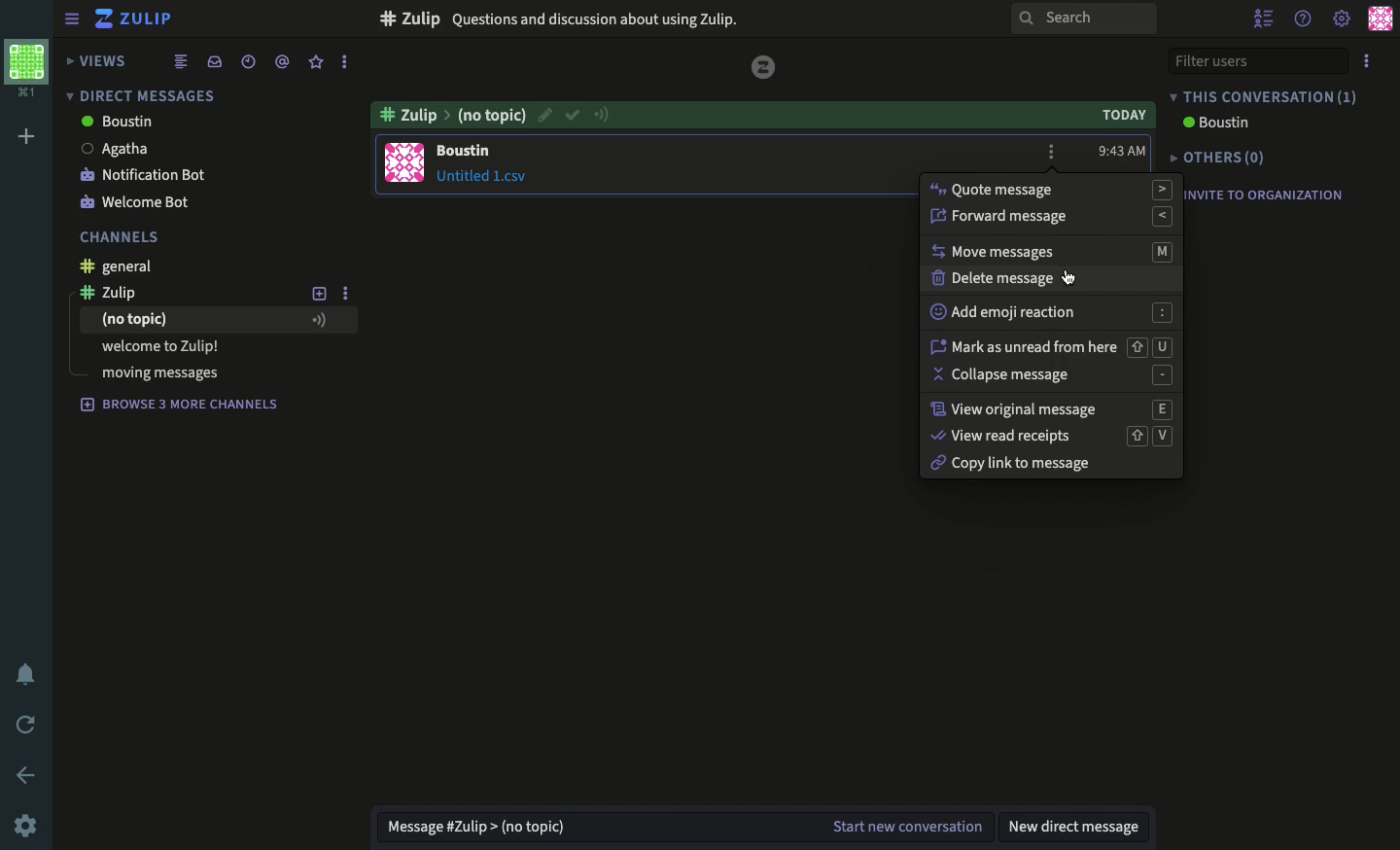 The width and height of the screenshot is (1400, 850). I want to click on views, so click(98, 60).